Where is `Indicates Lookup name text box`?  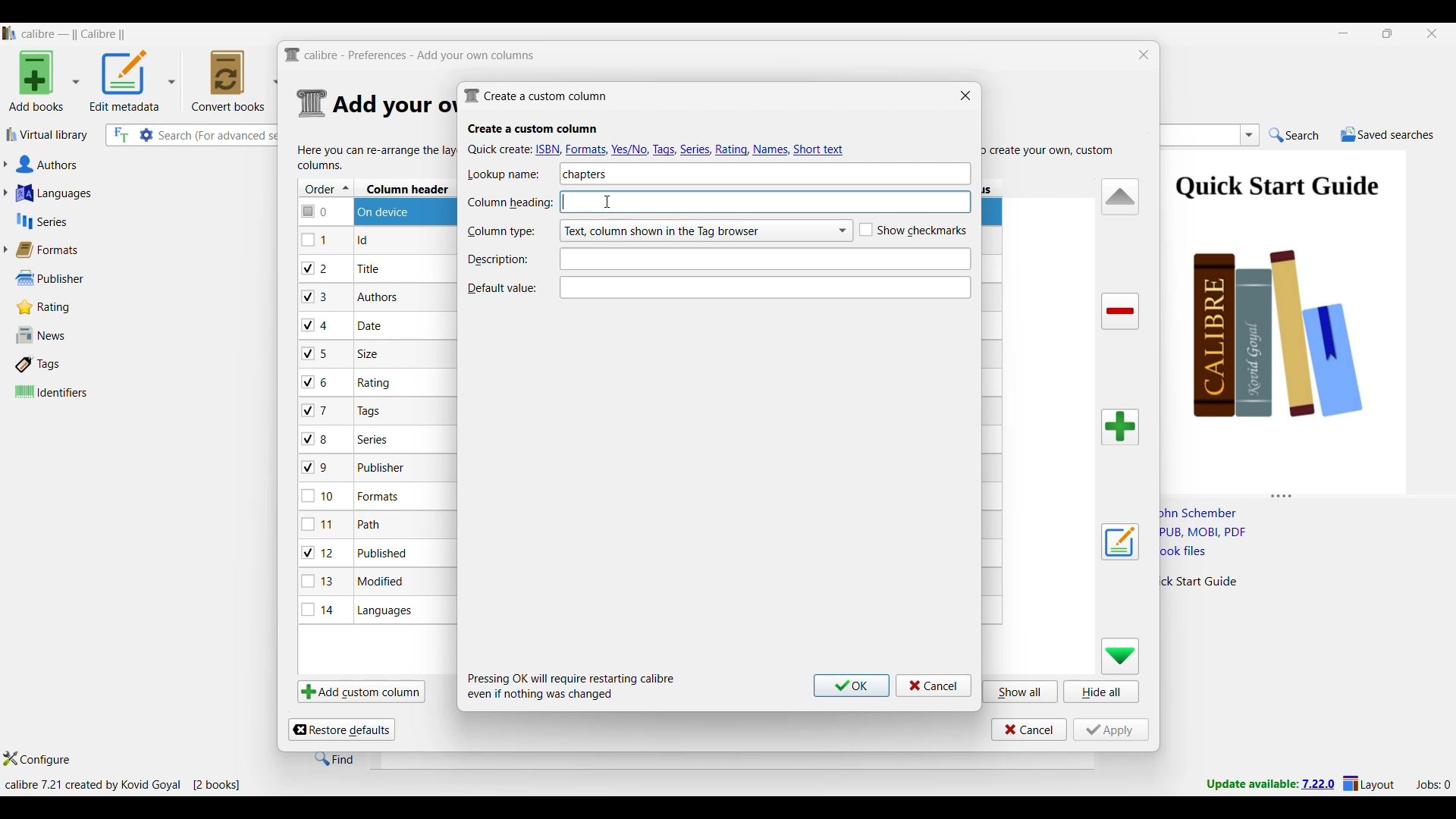 Indicates Lookup name text box is located at coordinates (509, 174).